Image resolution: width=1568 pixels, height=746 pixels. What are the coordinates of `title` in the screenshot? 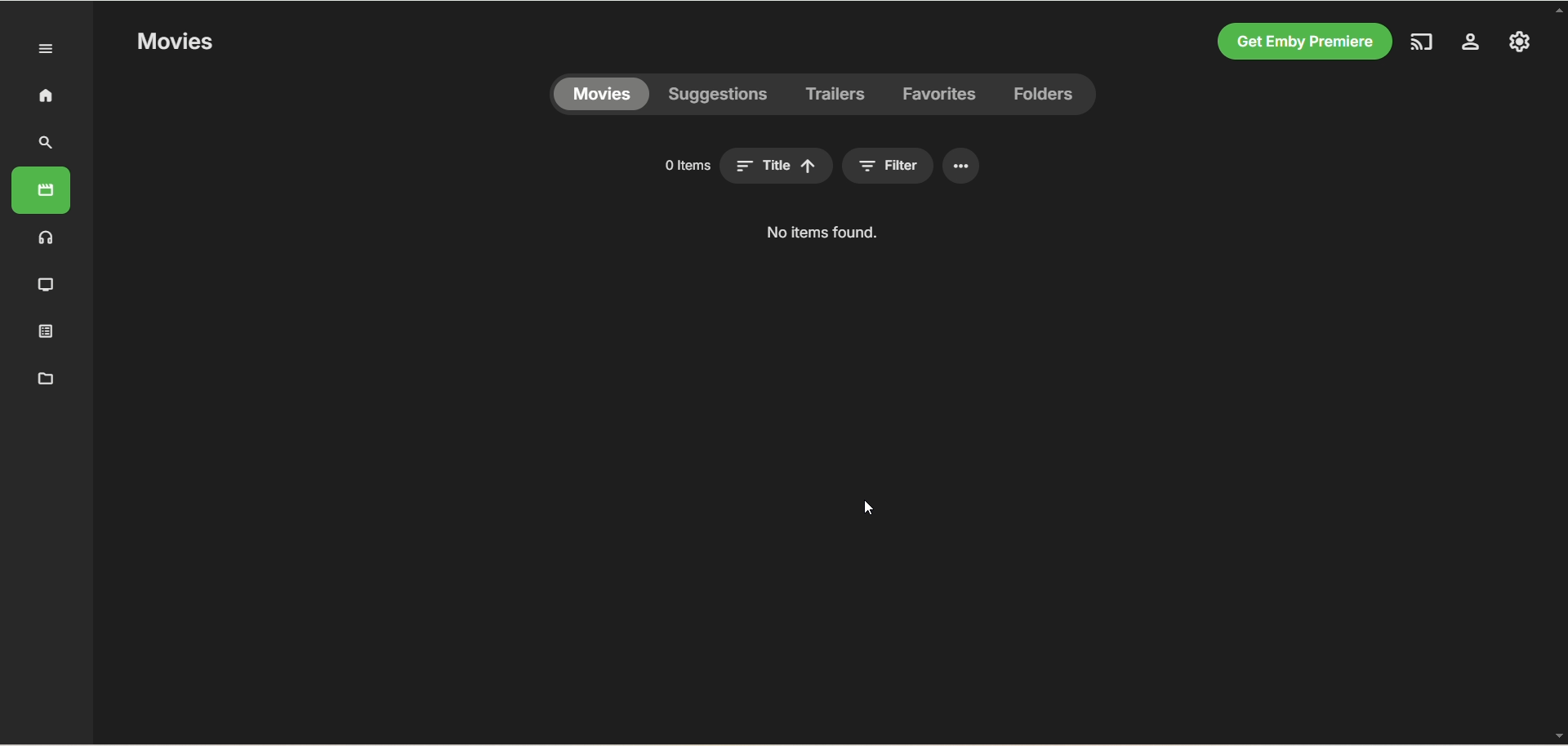 It's located at (875, 166).